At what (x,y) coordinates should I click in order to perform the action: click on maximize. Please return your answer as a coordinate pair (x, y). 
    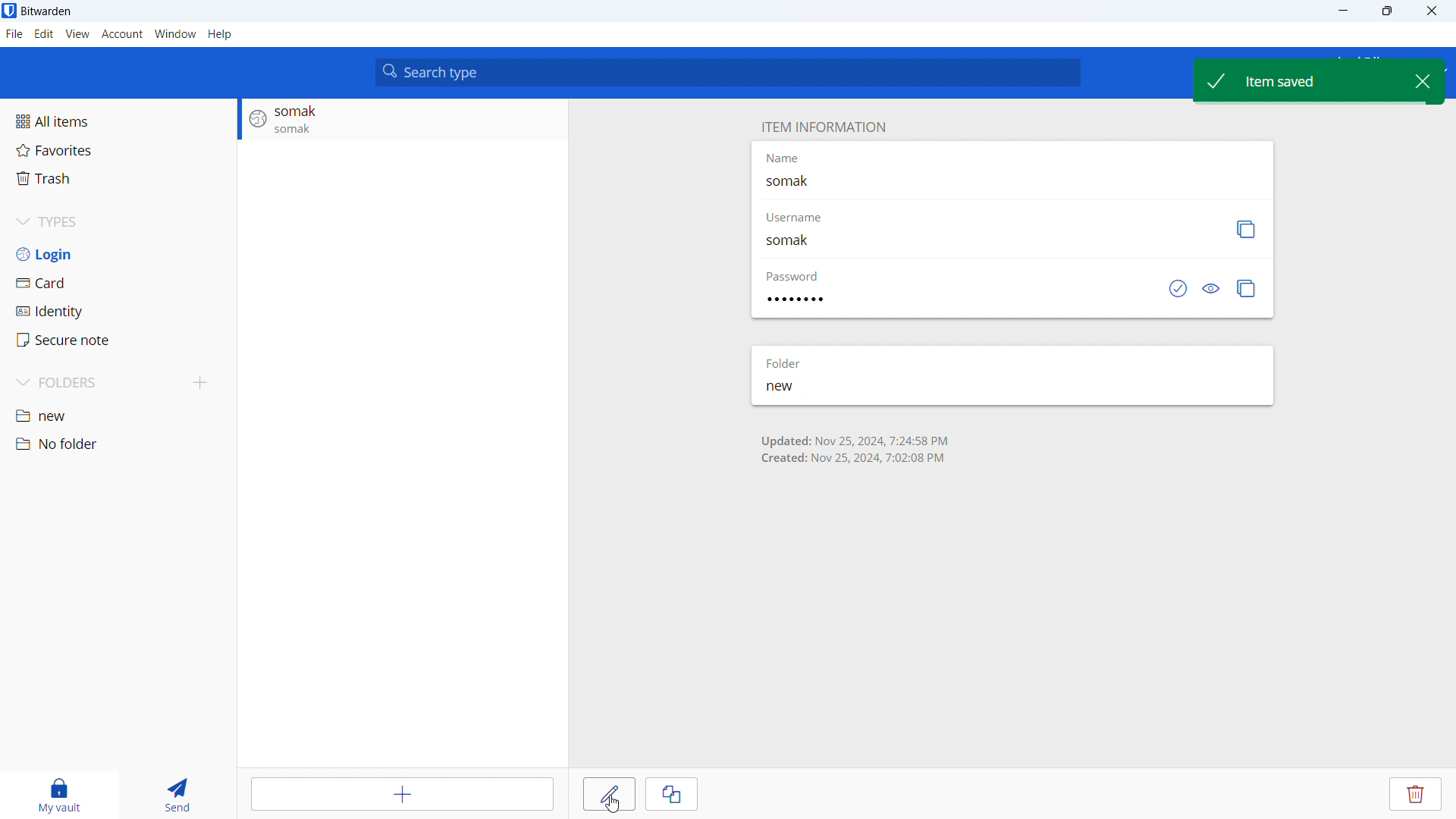
    Looking at the image, I should click on (1386, 11).